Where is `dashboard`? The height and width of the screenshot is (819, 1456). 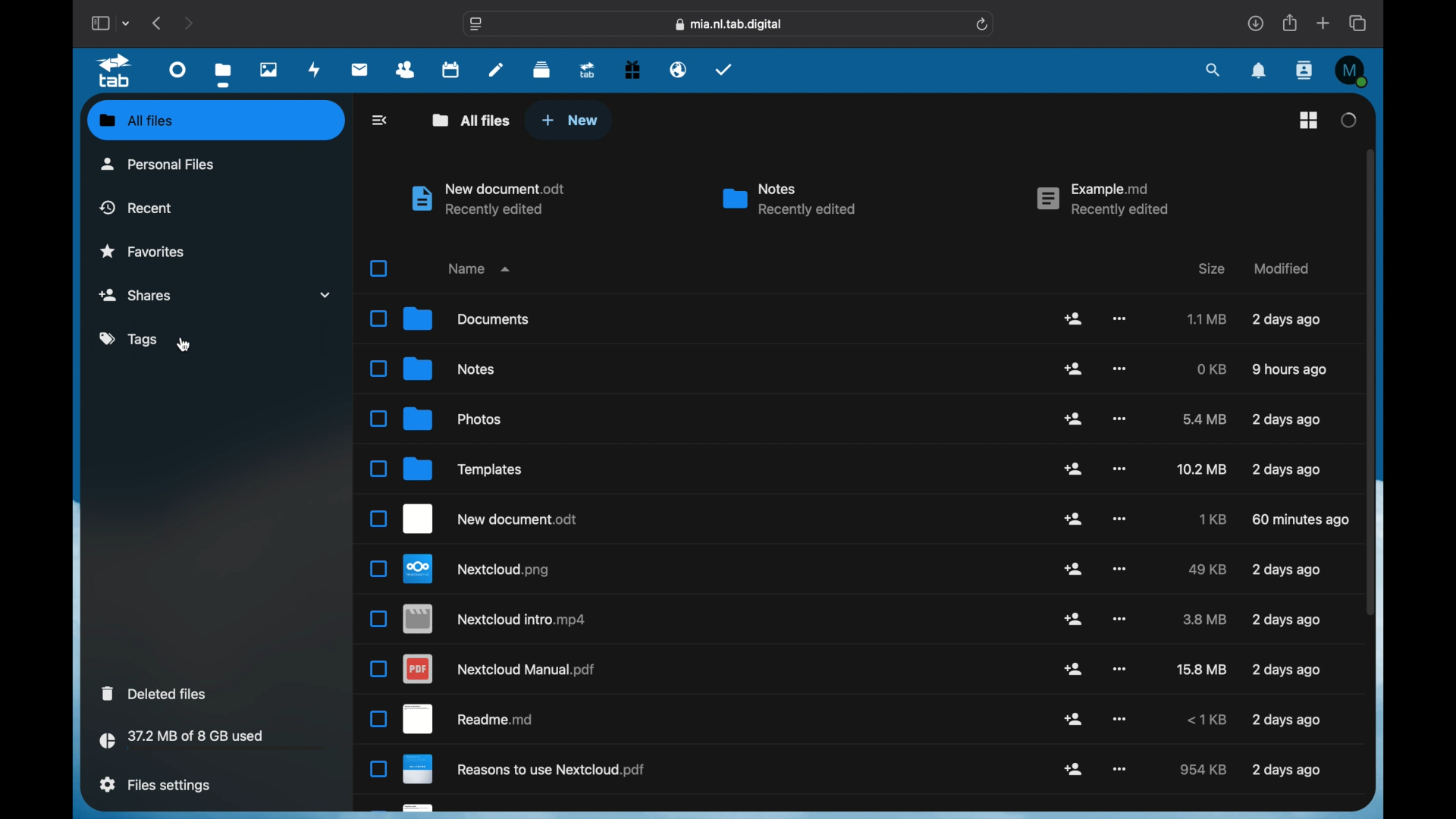
dashboard is located at coordinates (177, 69).